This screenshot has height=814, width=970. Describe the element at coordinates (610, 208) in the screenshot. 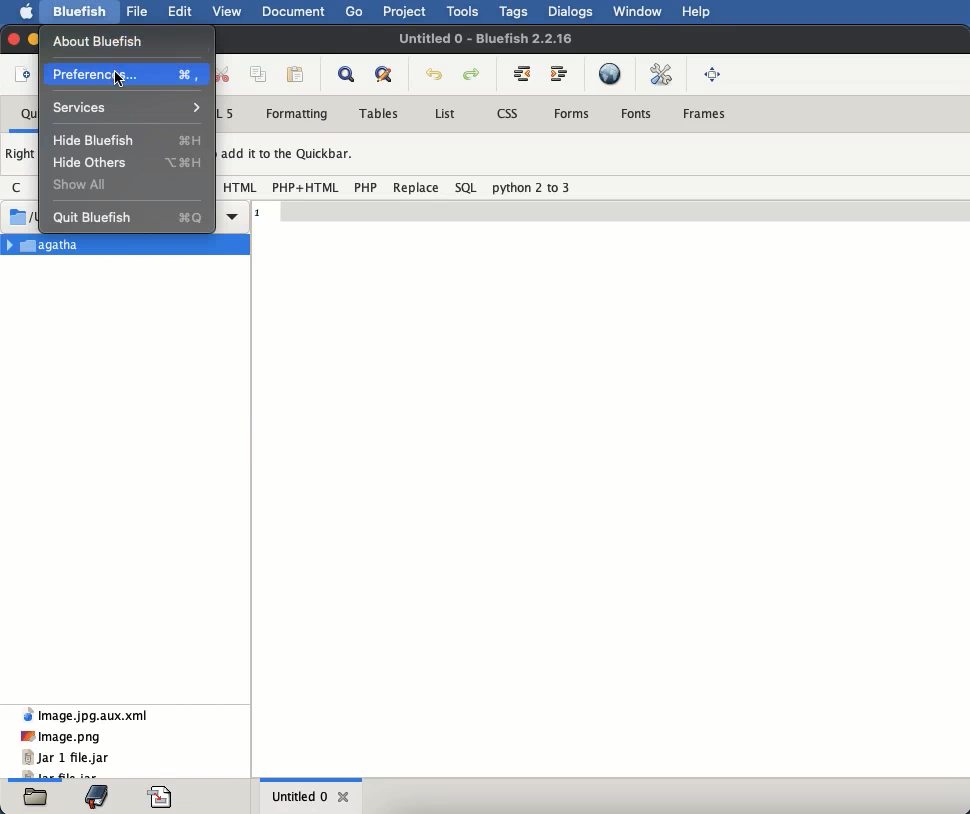

I see `line` at that location.